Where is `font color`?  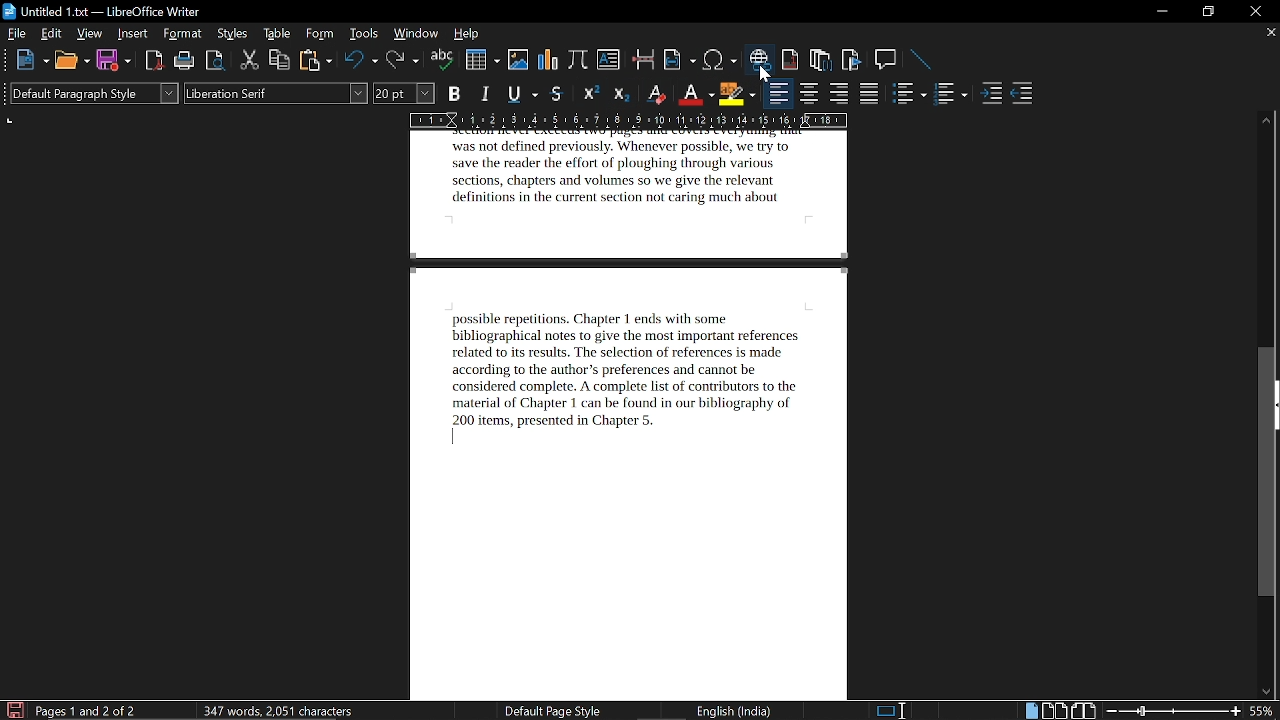 font color is located at coordinates (694, 93).